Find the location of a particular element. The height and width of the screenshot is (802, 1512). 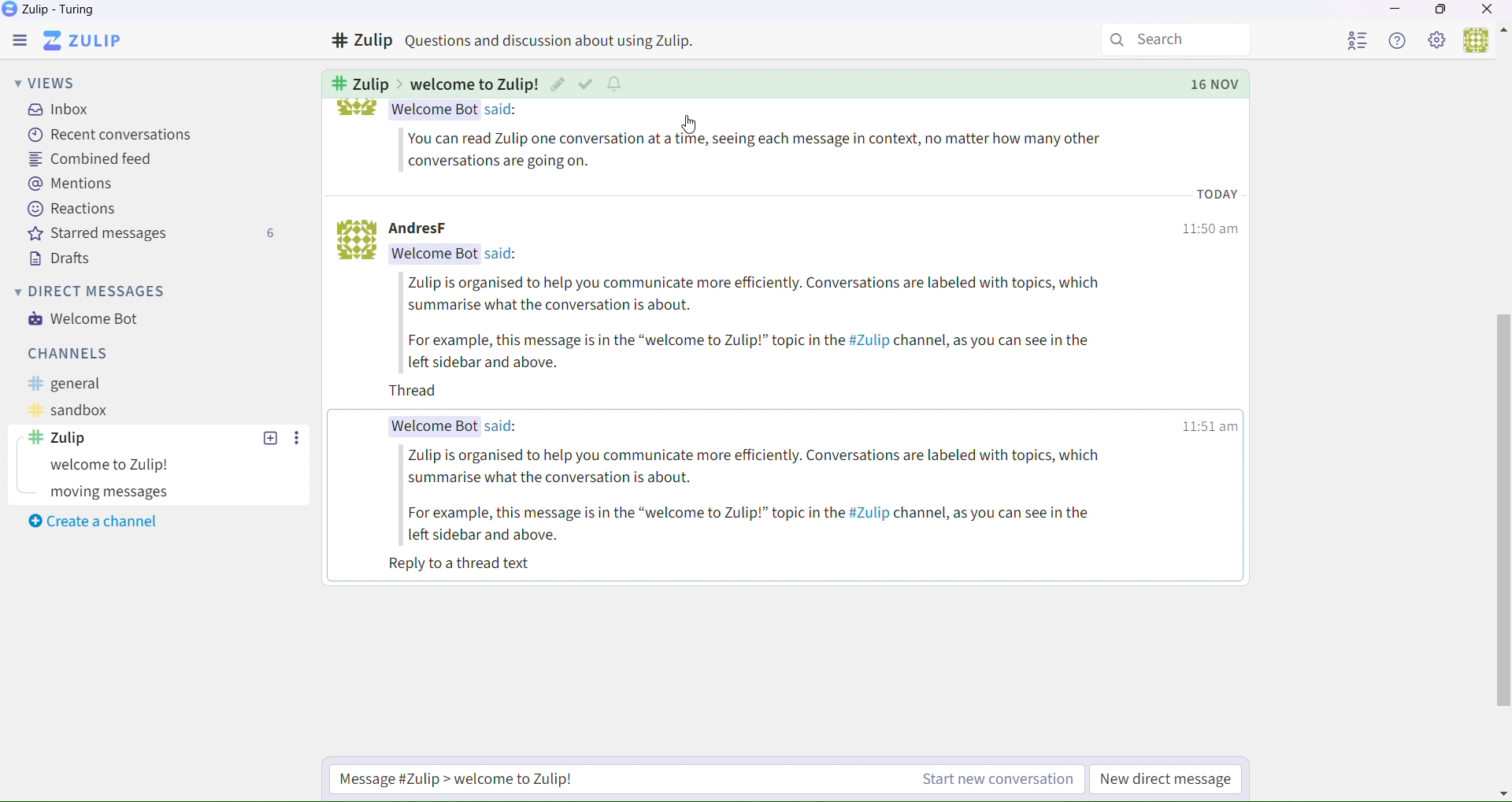

Zulip is organised to help you communicate more efficiently. Conversations are labeled with topics, which
summarise what the conversation is about.

For example, this message is in the “welcome to Zulip!” topic in the #Zulip channel, as you can see in the
left sidebar and above. is located at coordinates (753, 334).